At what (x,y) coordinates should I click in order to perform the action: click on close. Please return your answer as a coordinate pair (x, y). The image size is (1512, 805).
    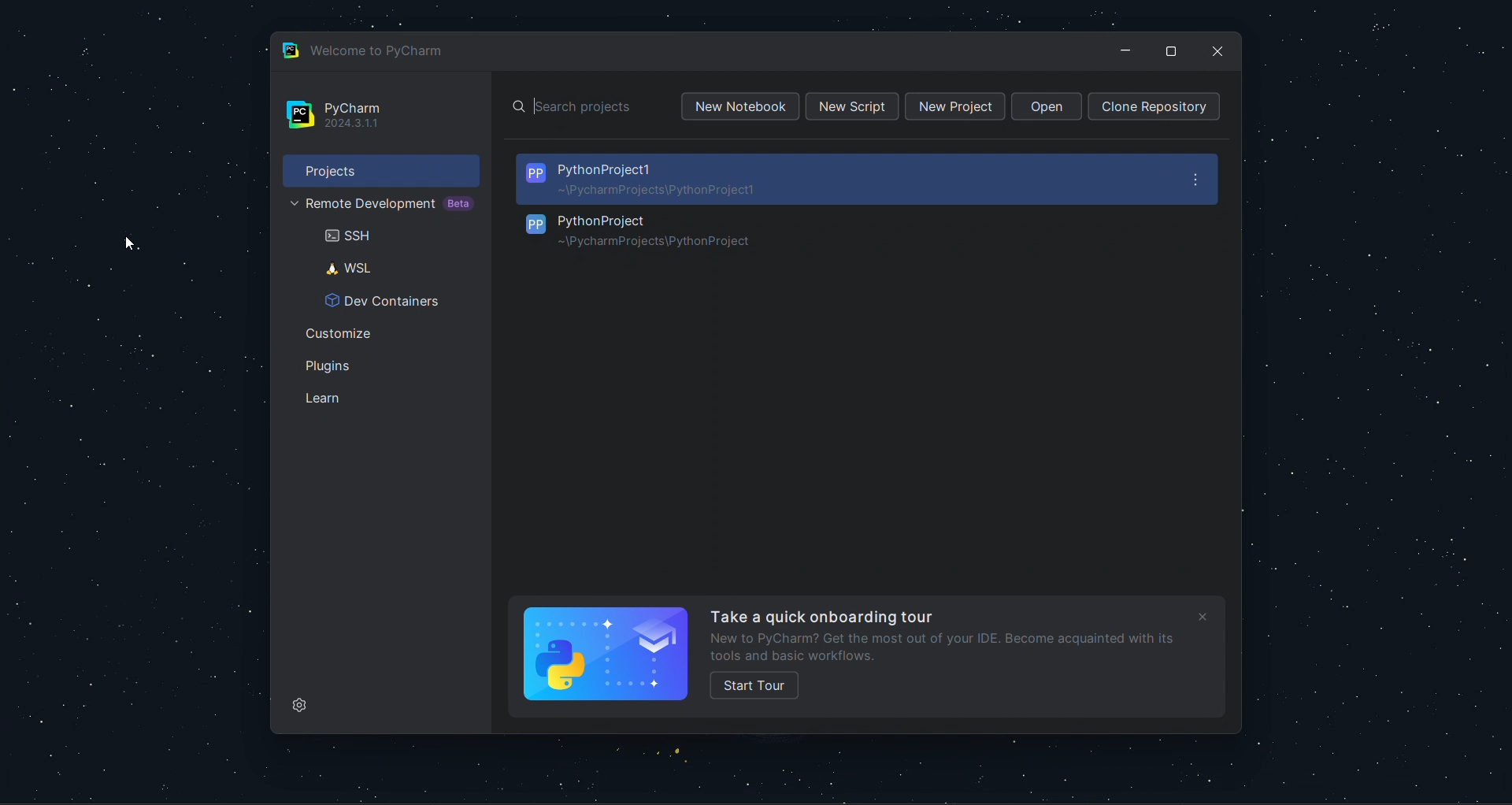
    Looking at the image, I should click on (1224, 52).